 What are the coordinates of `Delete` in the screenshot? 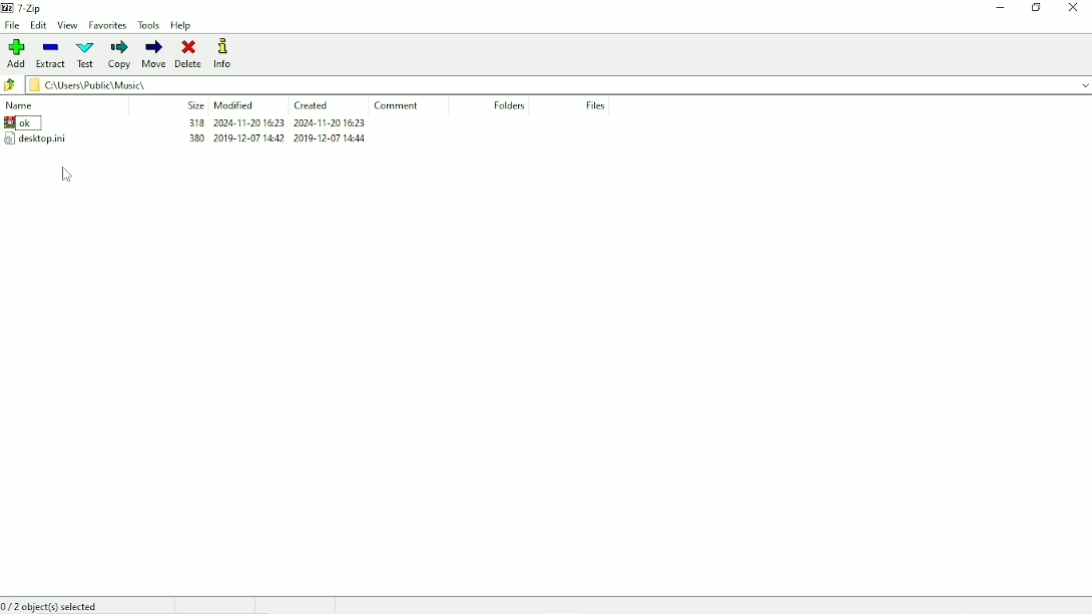 It's located at (192, 53).